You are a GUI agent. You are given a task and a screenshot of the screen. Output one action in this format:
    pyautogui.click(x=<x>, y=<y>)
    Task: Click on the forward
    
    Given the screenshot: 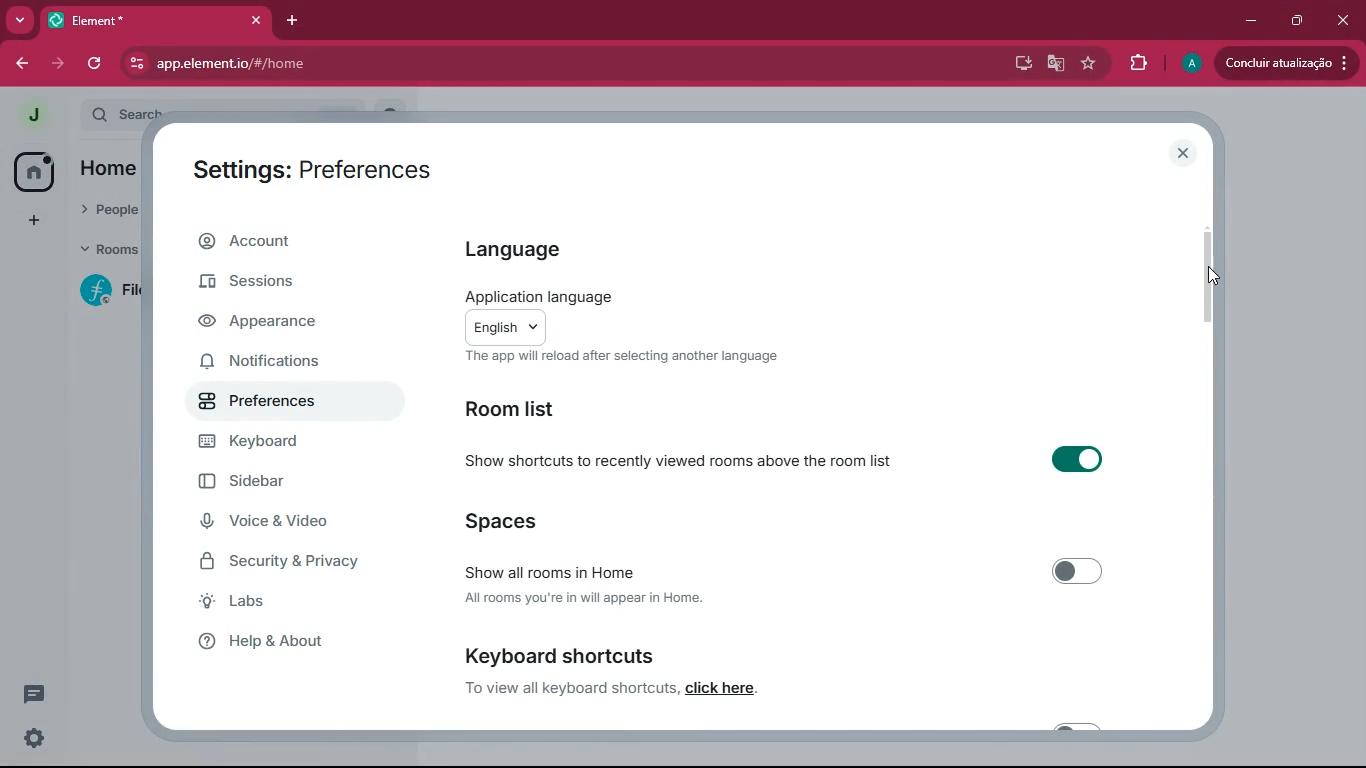 What is the action you would take?
    pyautogui.click(x=56, y=64)
    